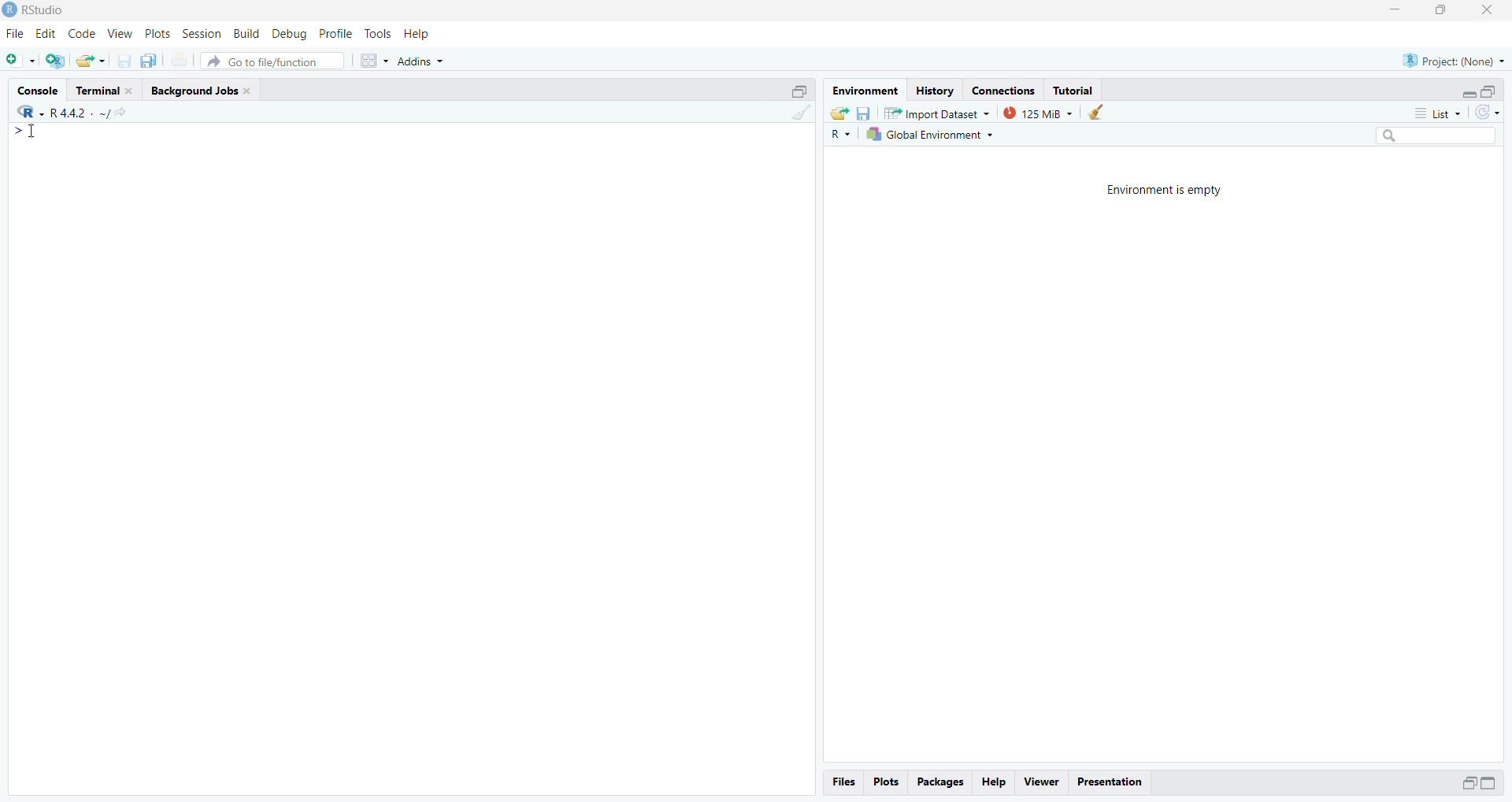  Describe the element at coordinates (1109, 782) in the screenshot. I see `Presentation` at that location.